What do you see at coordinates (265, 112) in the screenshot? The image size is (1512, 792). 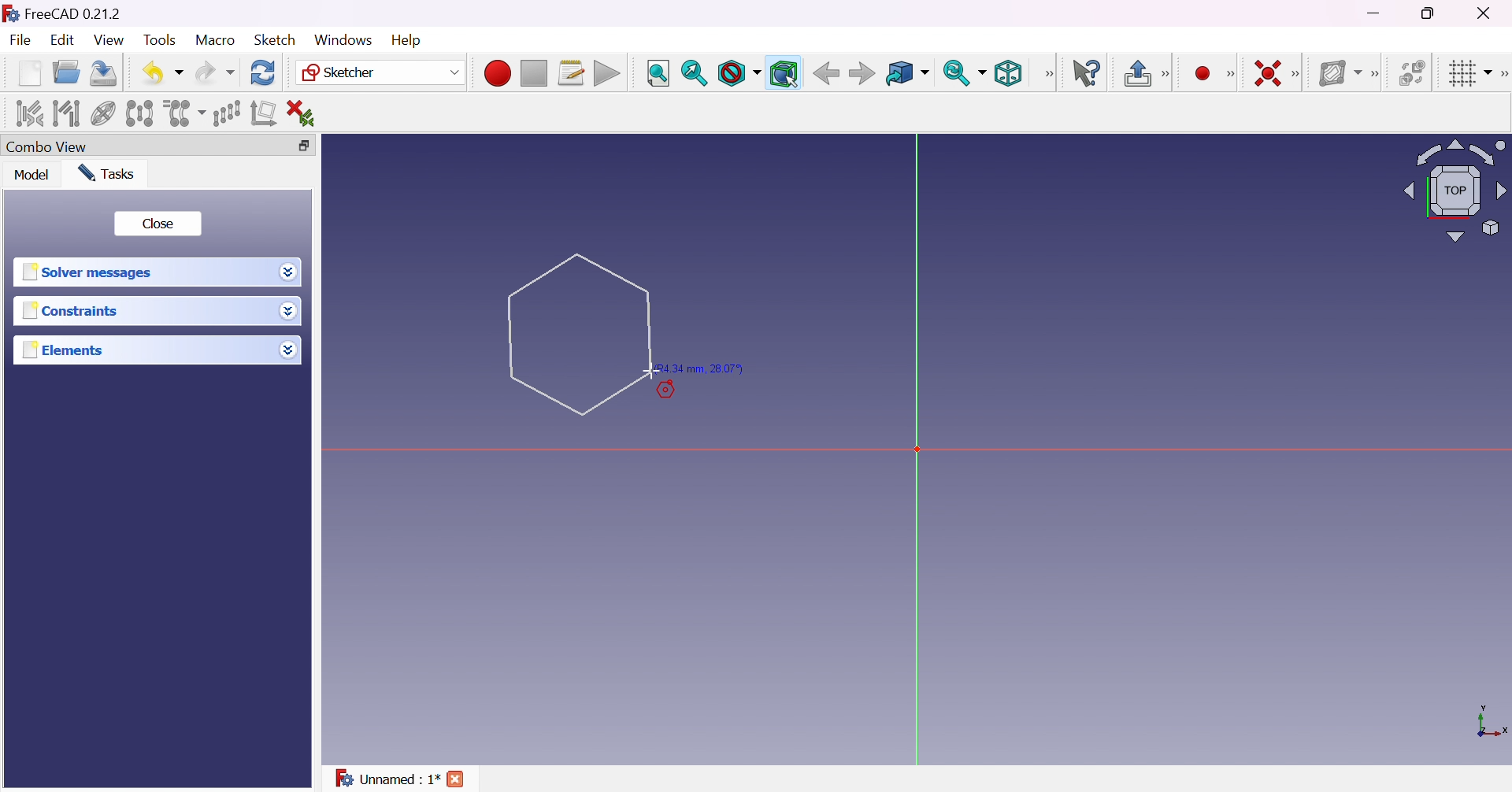 I see `Remove axis alignment` at bounding box center [265, 112].